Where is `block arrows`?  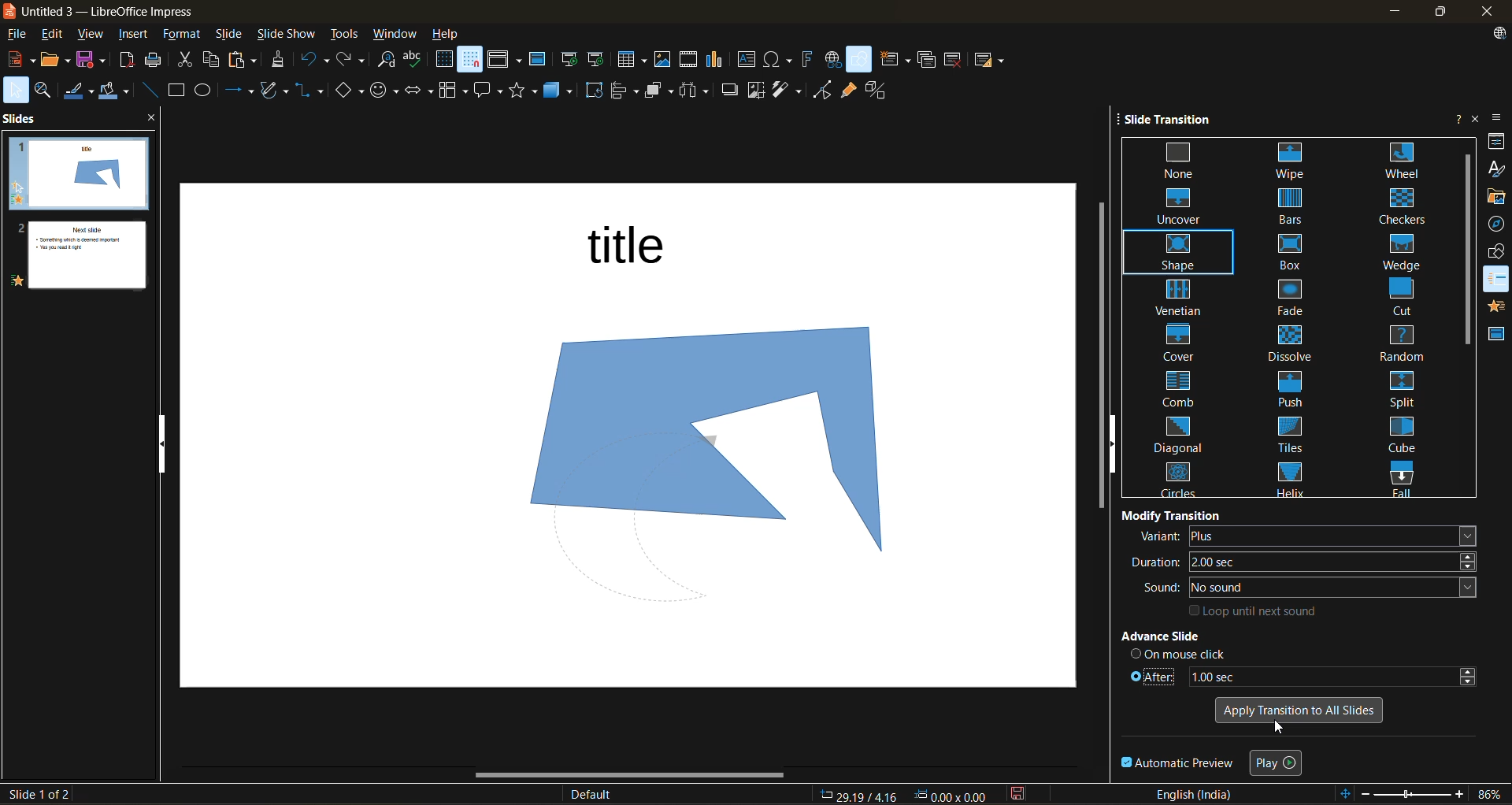
block arrows is located at coordinates (421, 90).